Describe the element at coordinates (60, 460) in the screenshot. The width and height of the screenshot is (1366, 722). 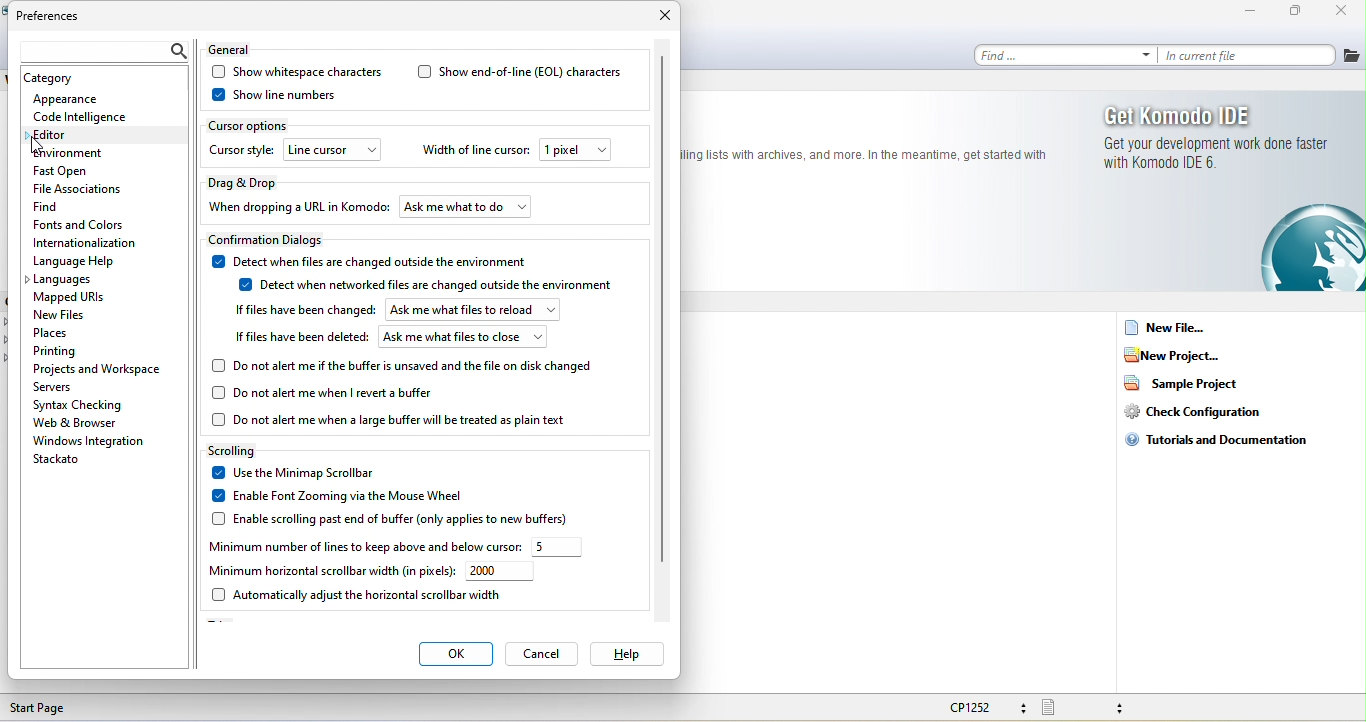
I see `stackato` at that location.